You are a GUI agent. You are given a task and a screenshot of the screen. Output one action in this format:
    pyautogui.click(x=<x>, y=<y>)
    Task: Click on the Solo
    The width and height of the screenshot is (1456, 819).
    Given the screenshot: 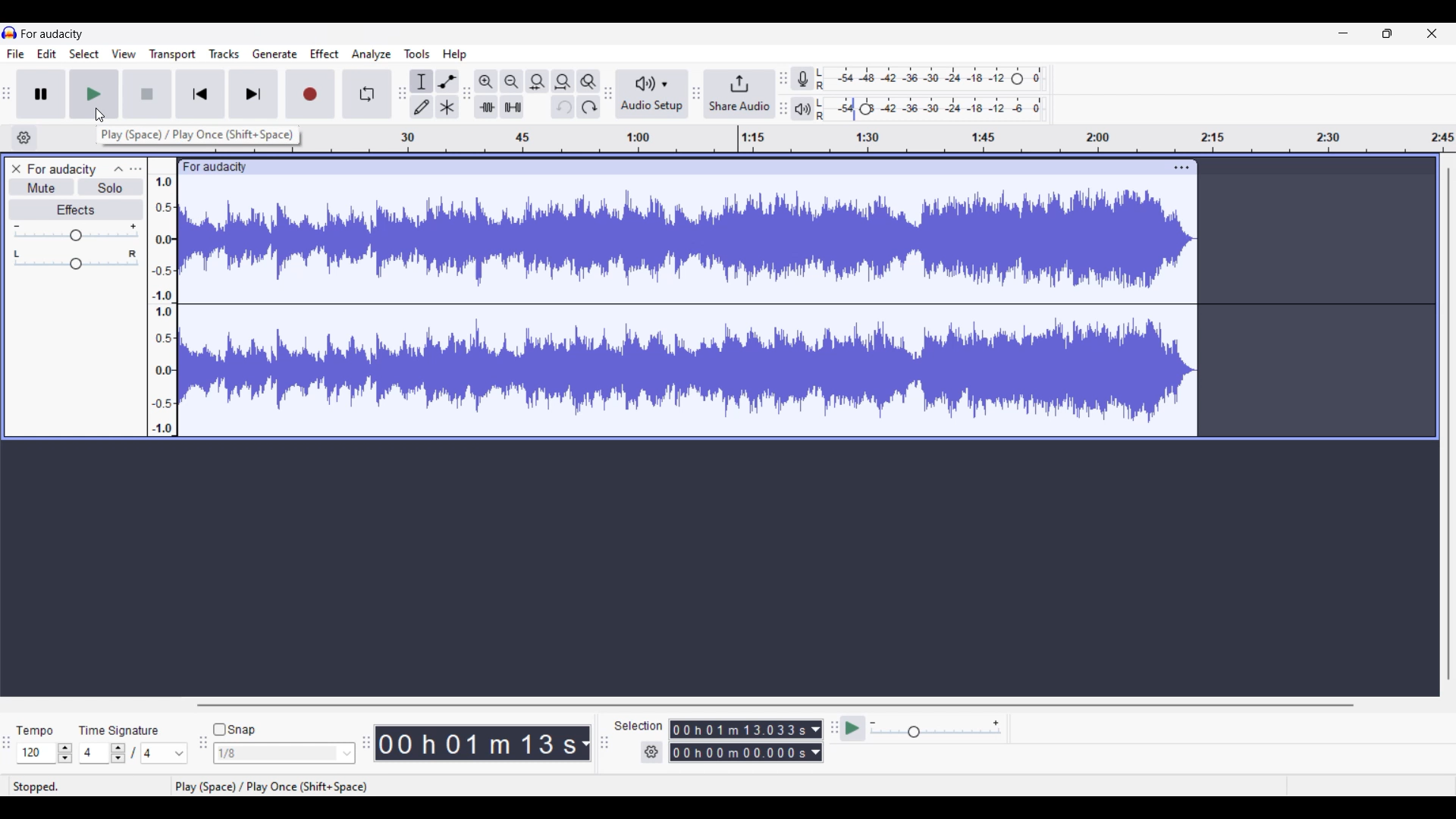 What is the action you would take?
    pyautogui.click(x=111, y=187)
    